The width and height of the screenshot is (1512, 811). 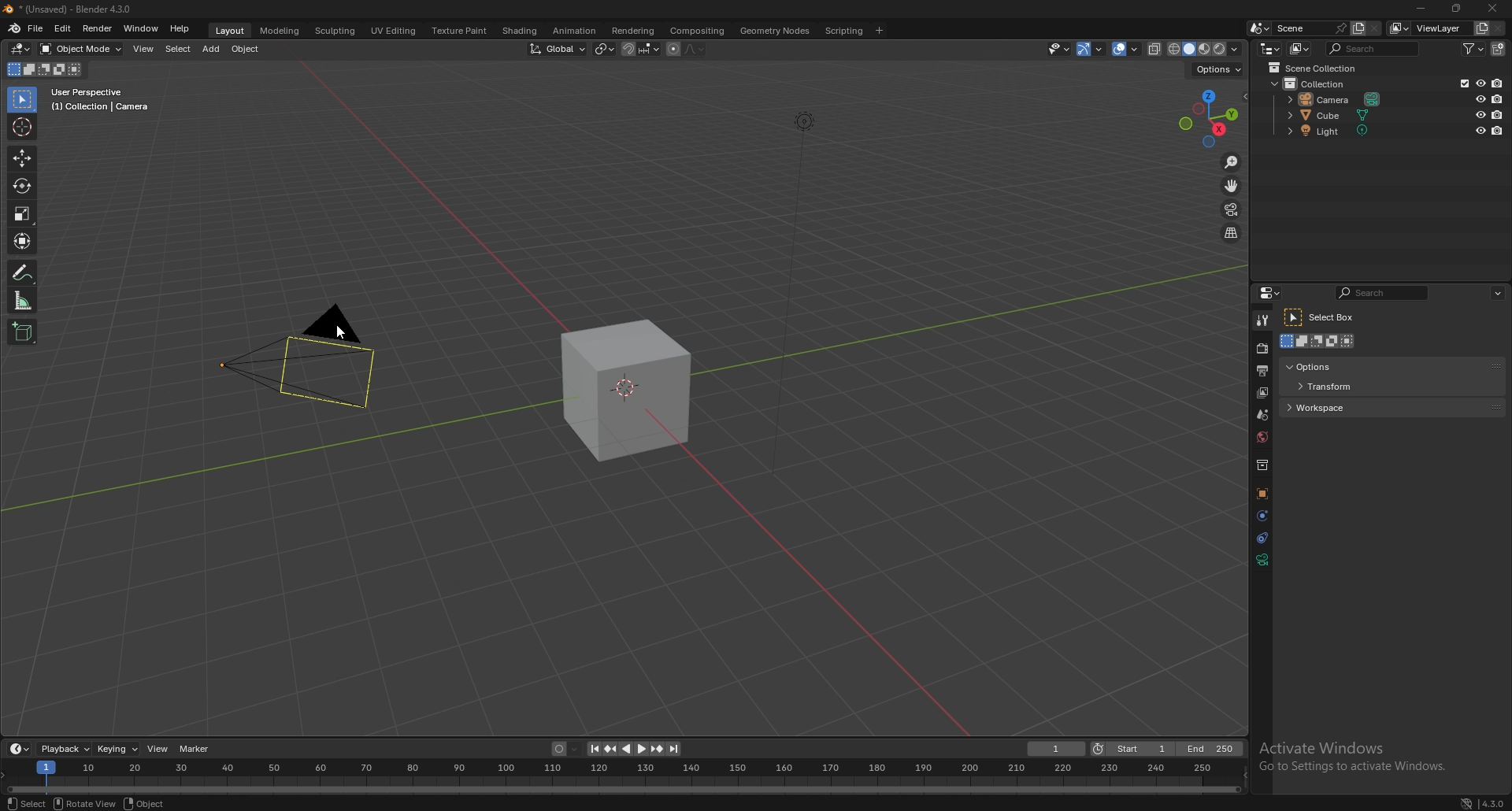 What do you see at coordinates (1269, 49) in the screenshot?
I see `editor type` at bounding box center [1269, 49].